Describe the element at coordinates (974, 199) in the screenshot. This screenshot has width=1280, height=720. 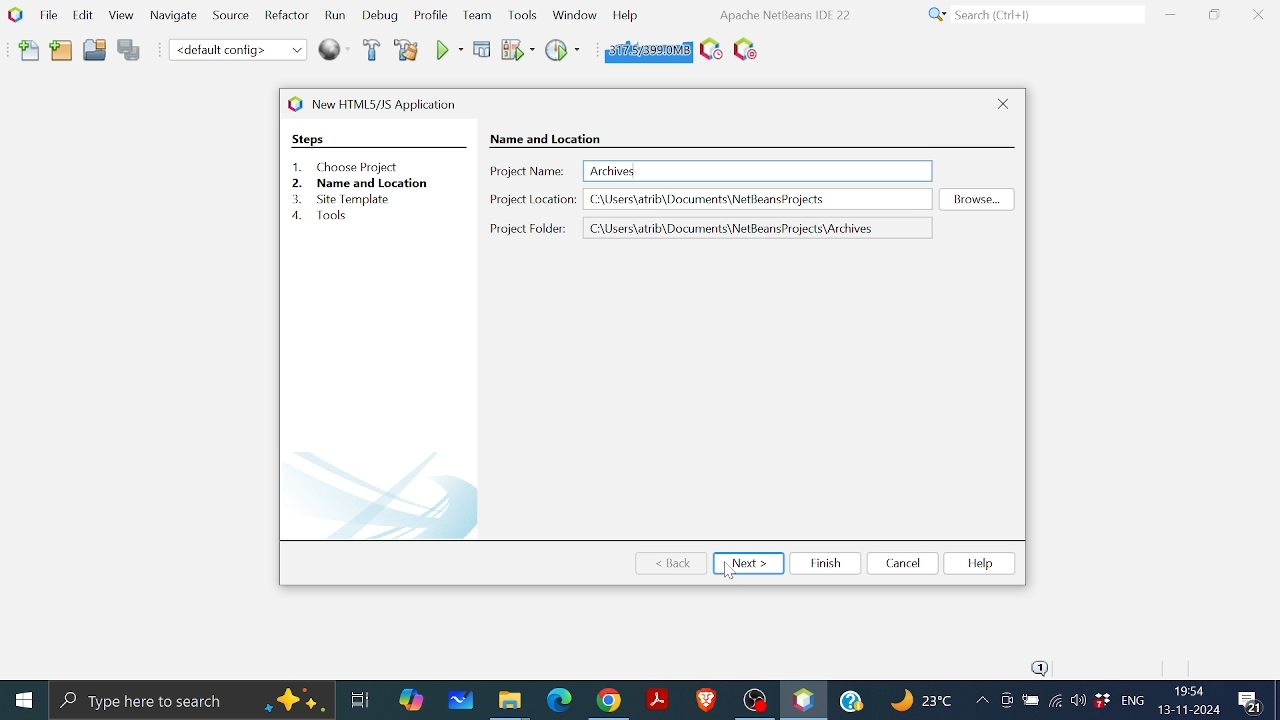
I see `Browse` at that location.